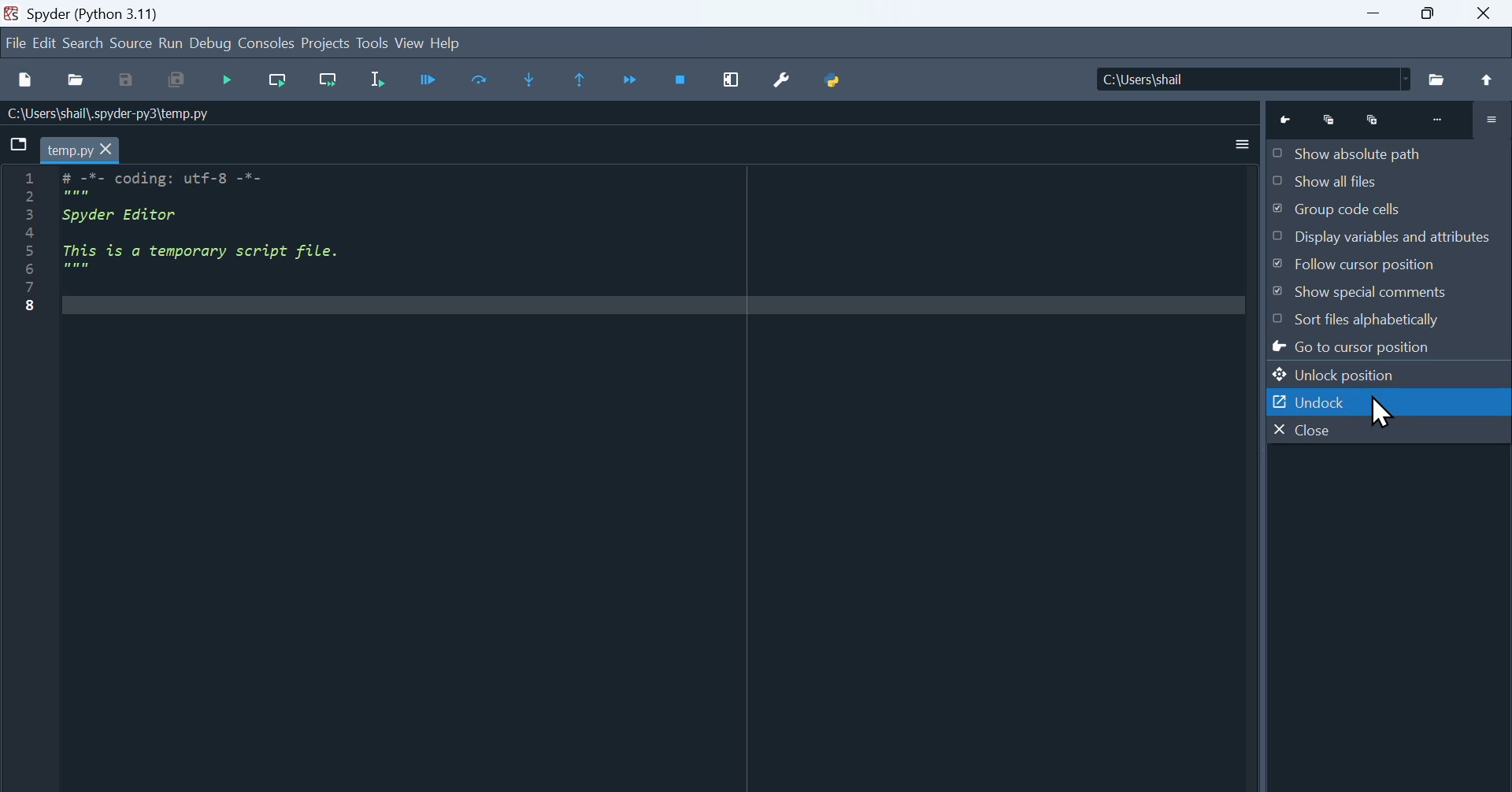  Describe the element at coordinates (176, 80) in the screenshot. I see `Save all` at that location.